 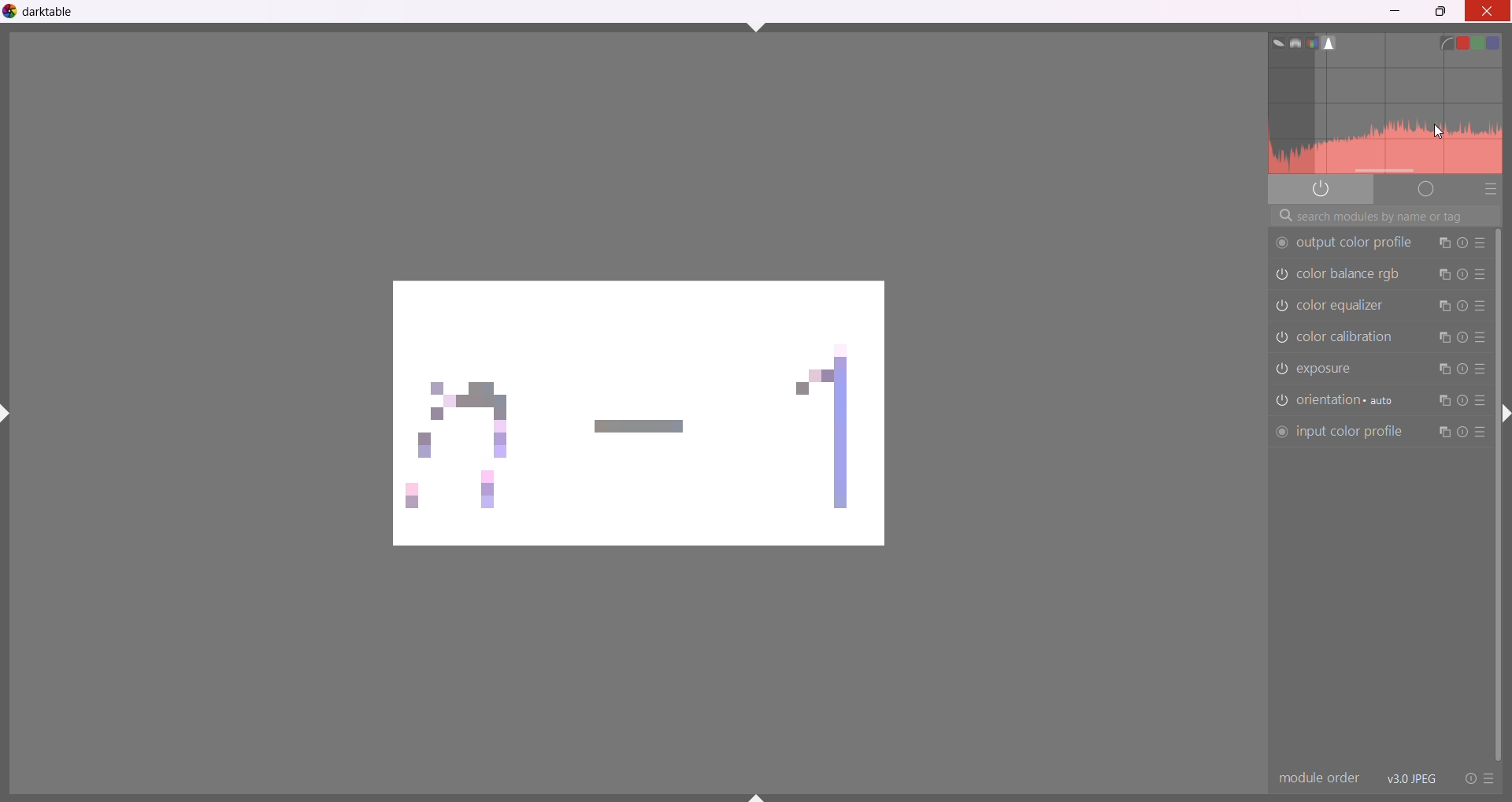 What do you see at coordinates (1466, 778) in the screenshot?
I see `reset` at bounding box center [1466, 778].